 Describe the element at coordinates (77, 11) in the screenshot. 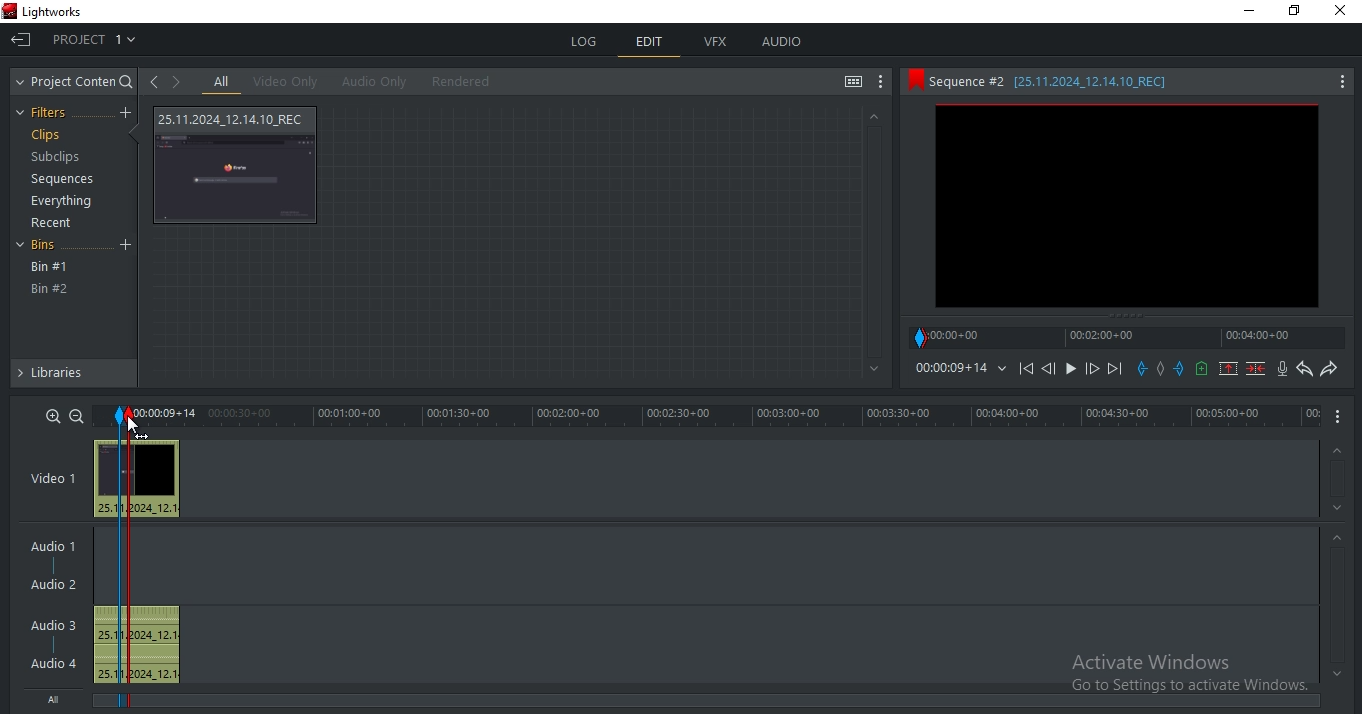

I see `Lightworks` at that location.